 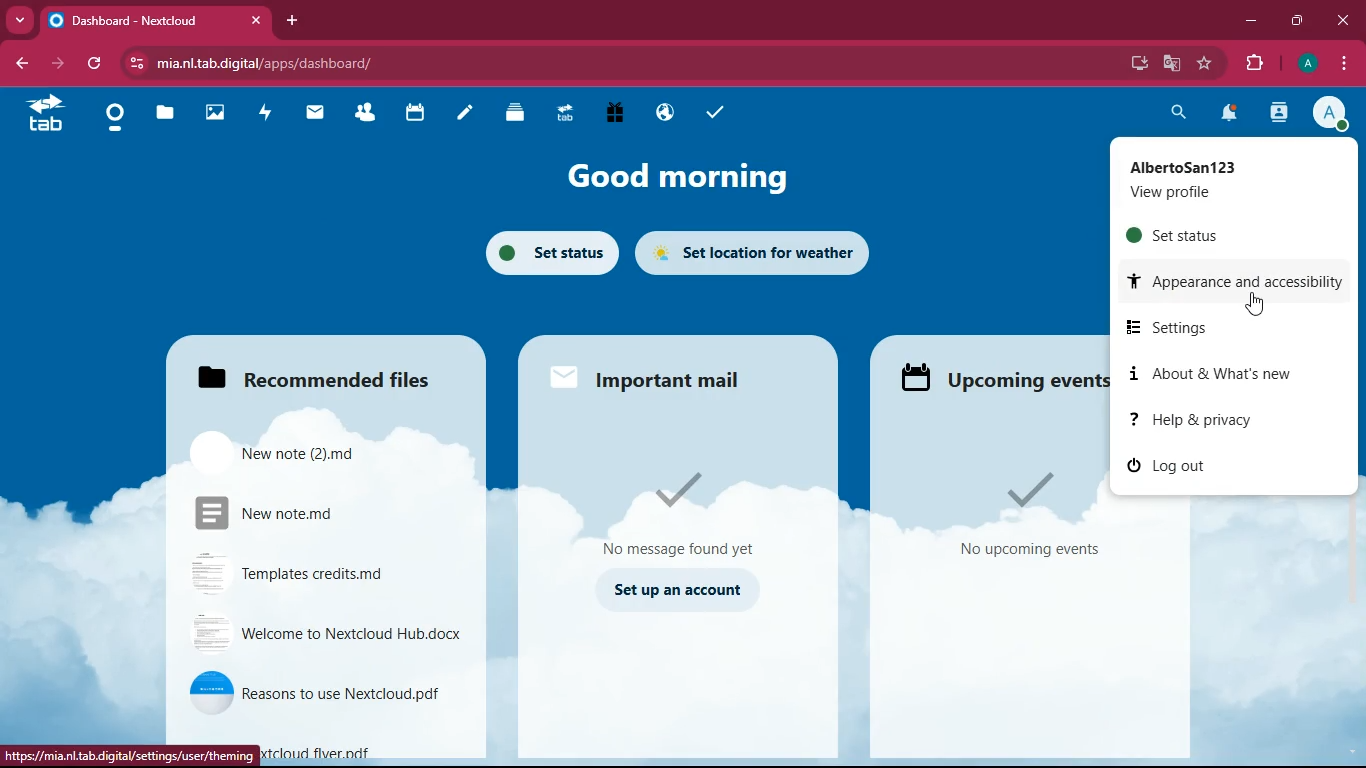 What do you see at coordinates (20, 20) in the screenshot?
I see `more` at bounding box center [20, 20].